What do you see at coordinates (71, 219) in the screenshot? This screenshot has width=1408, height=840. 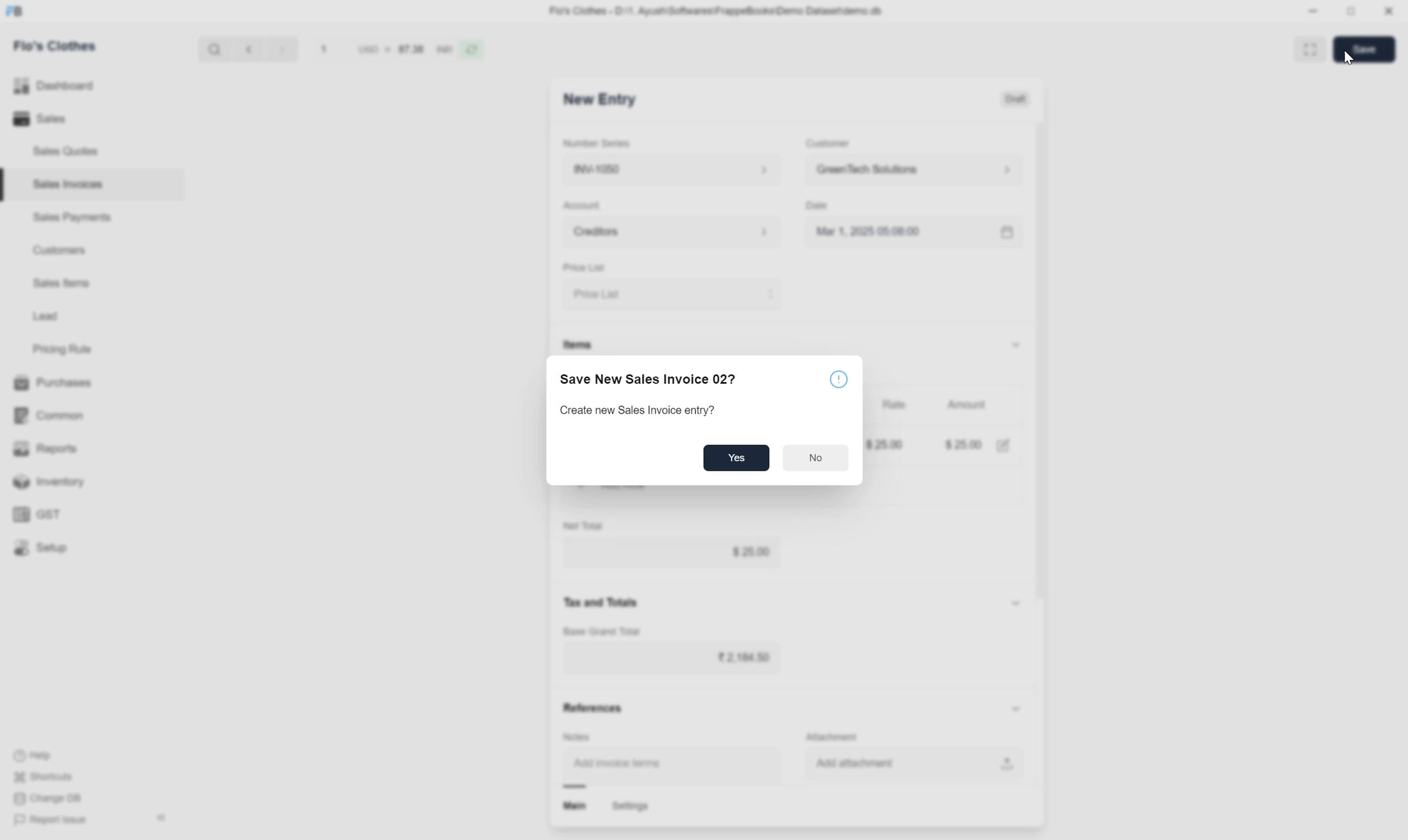 I see `Sales Payments` at bounding box center [71, 219].